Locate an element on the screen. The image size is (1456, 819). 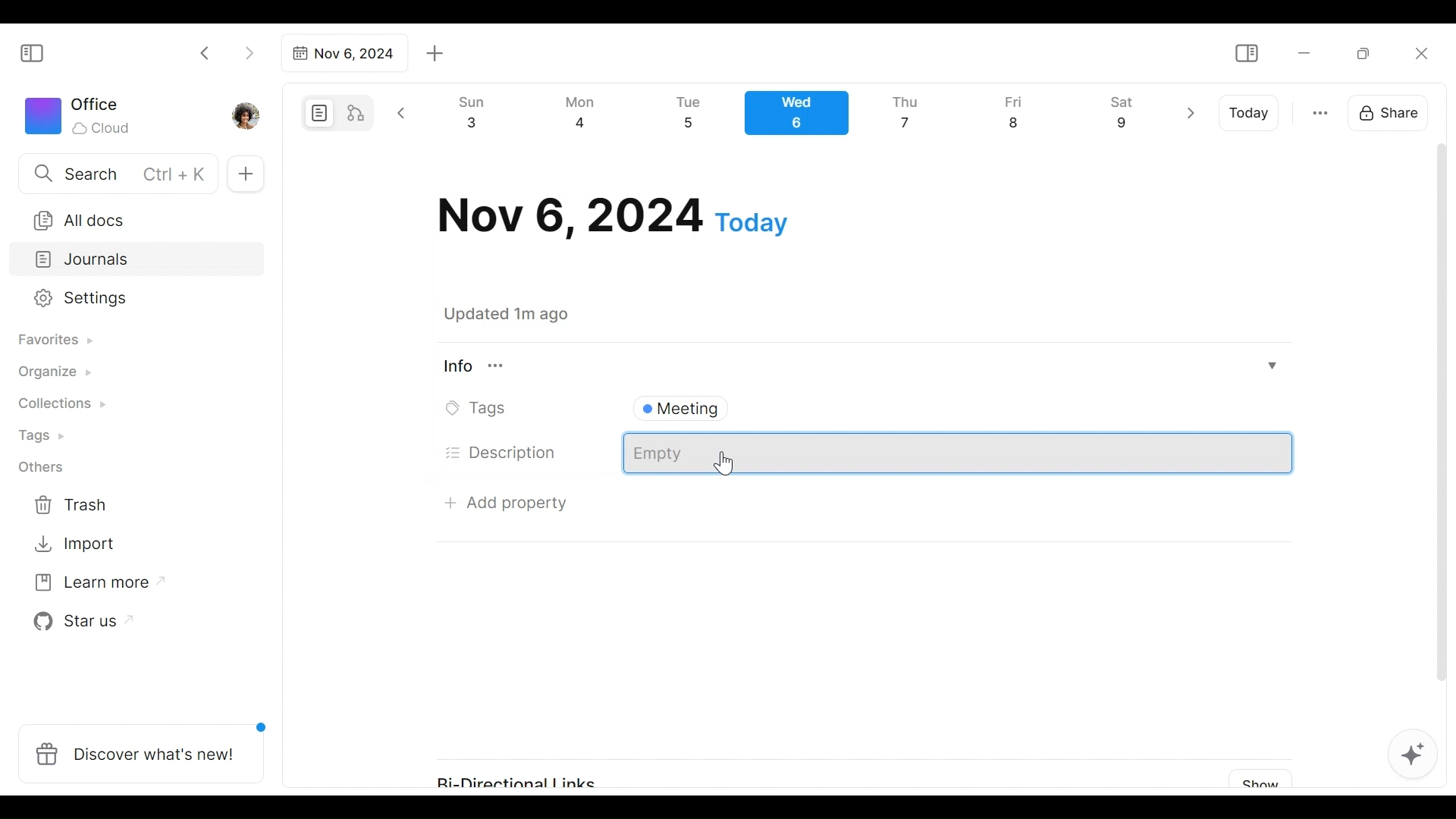
Add new tab is located at coordinates (435, 54).